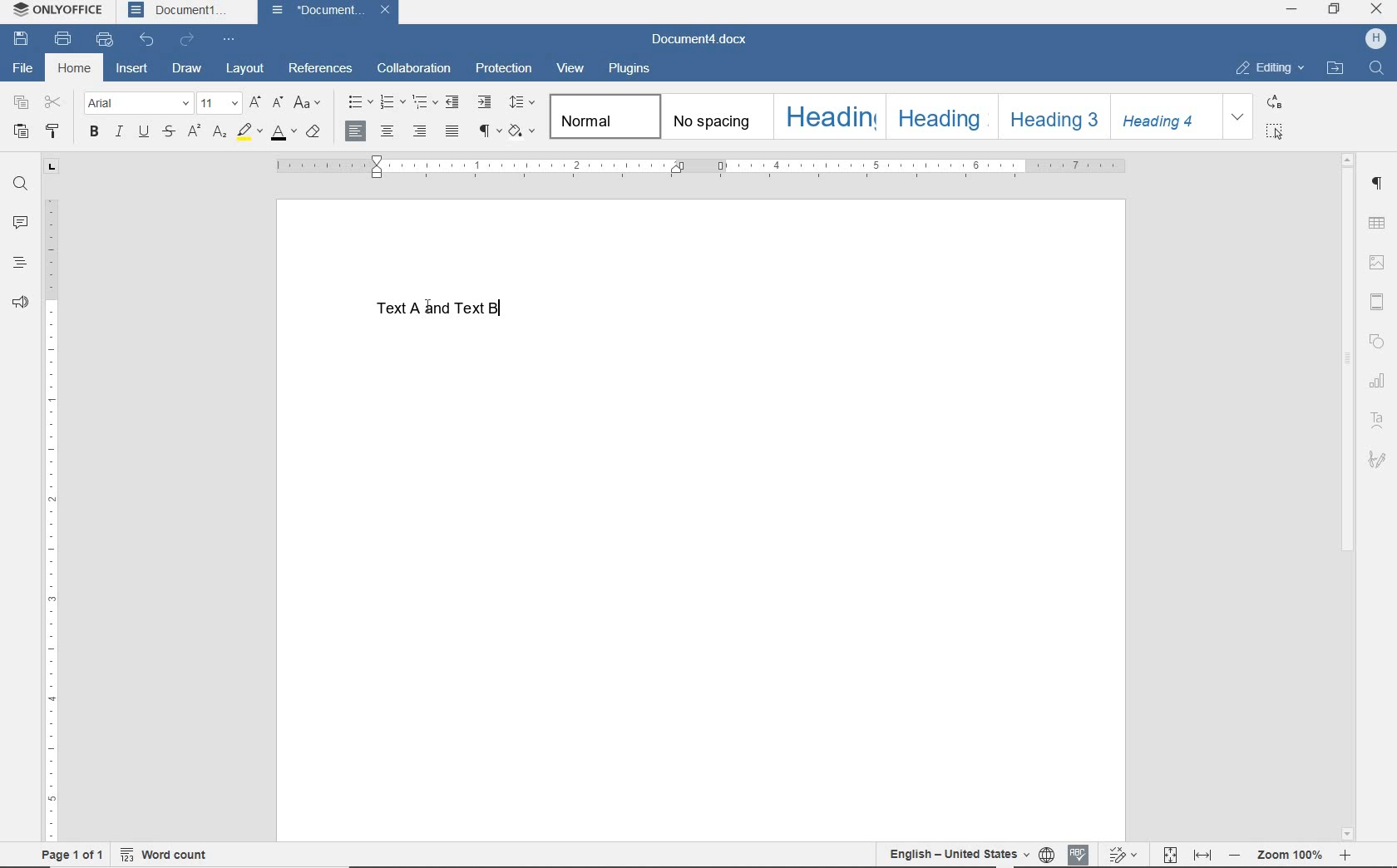 The width and height of the screenshot is (1397, 868). I want to click on COLLABORATION, so click(416, 67).